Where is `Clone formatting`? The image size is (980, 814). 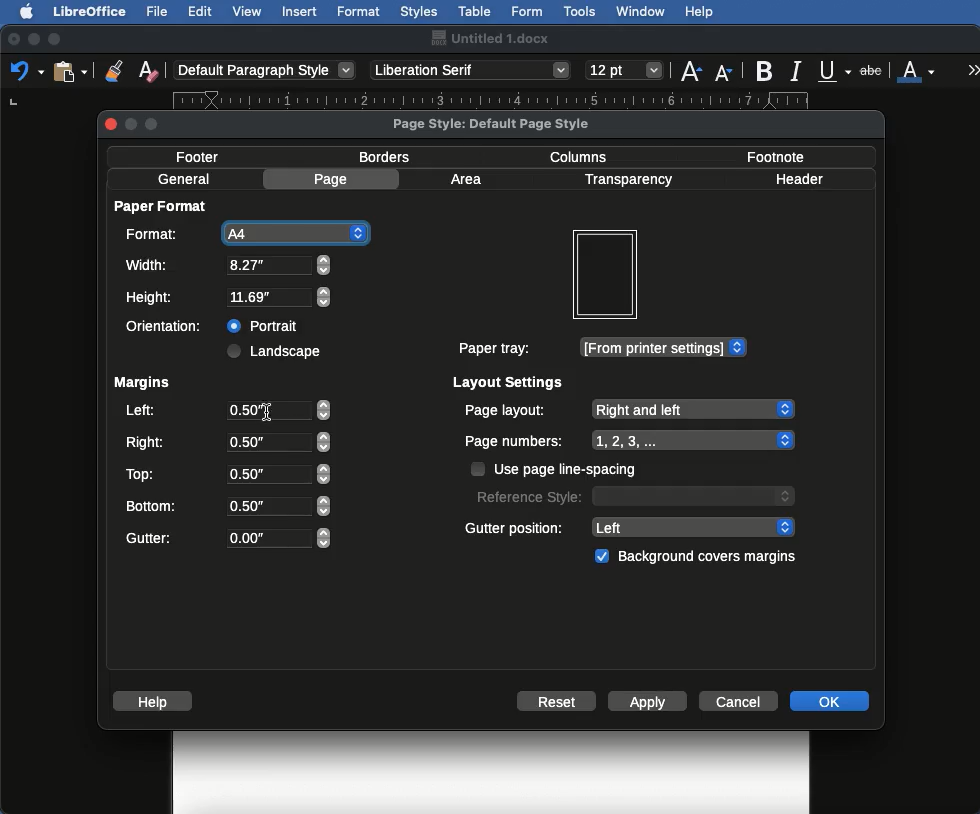
Clone formatting is located at coordinates (114, 70).